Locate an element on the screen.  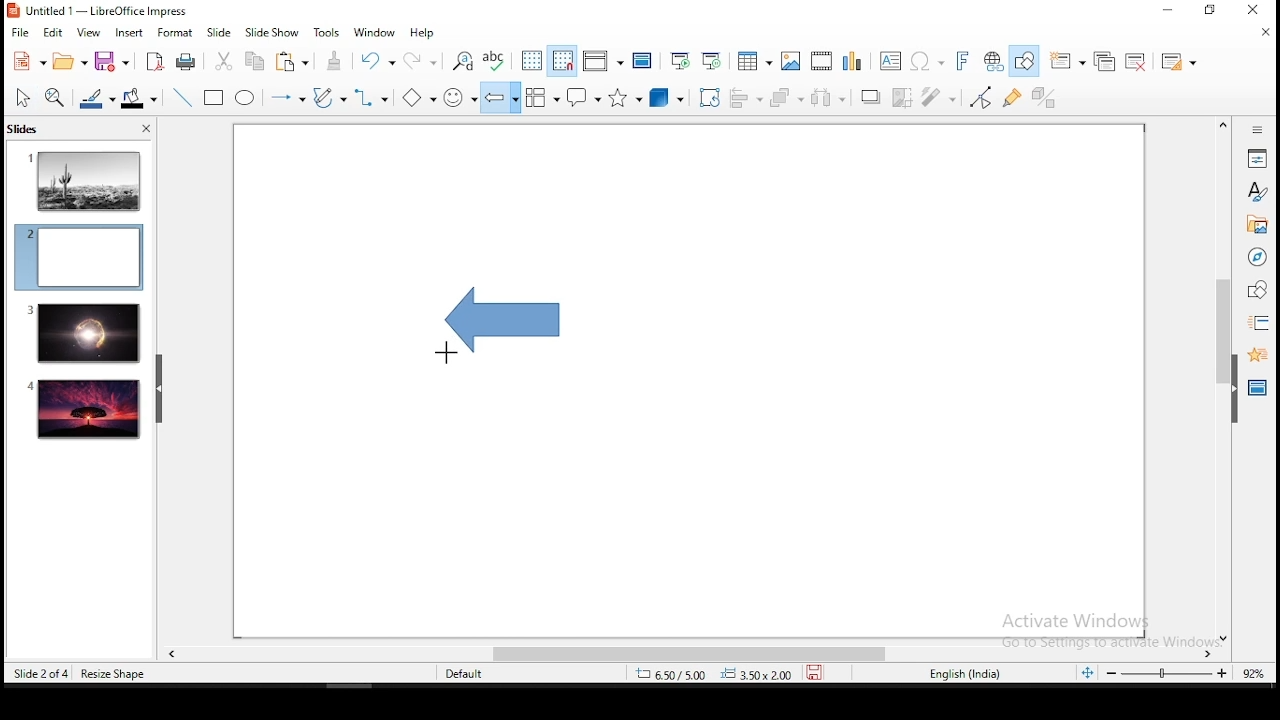
cut is located at coordinates (222, 62).